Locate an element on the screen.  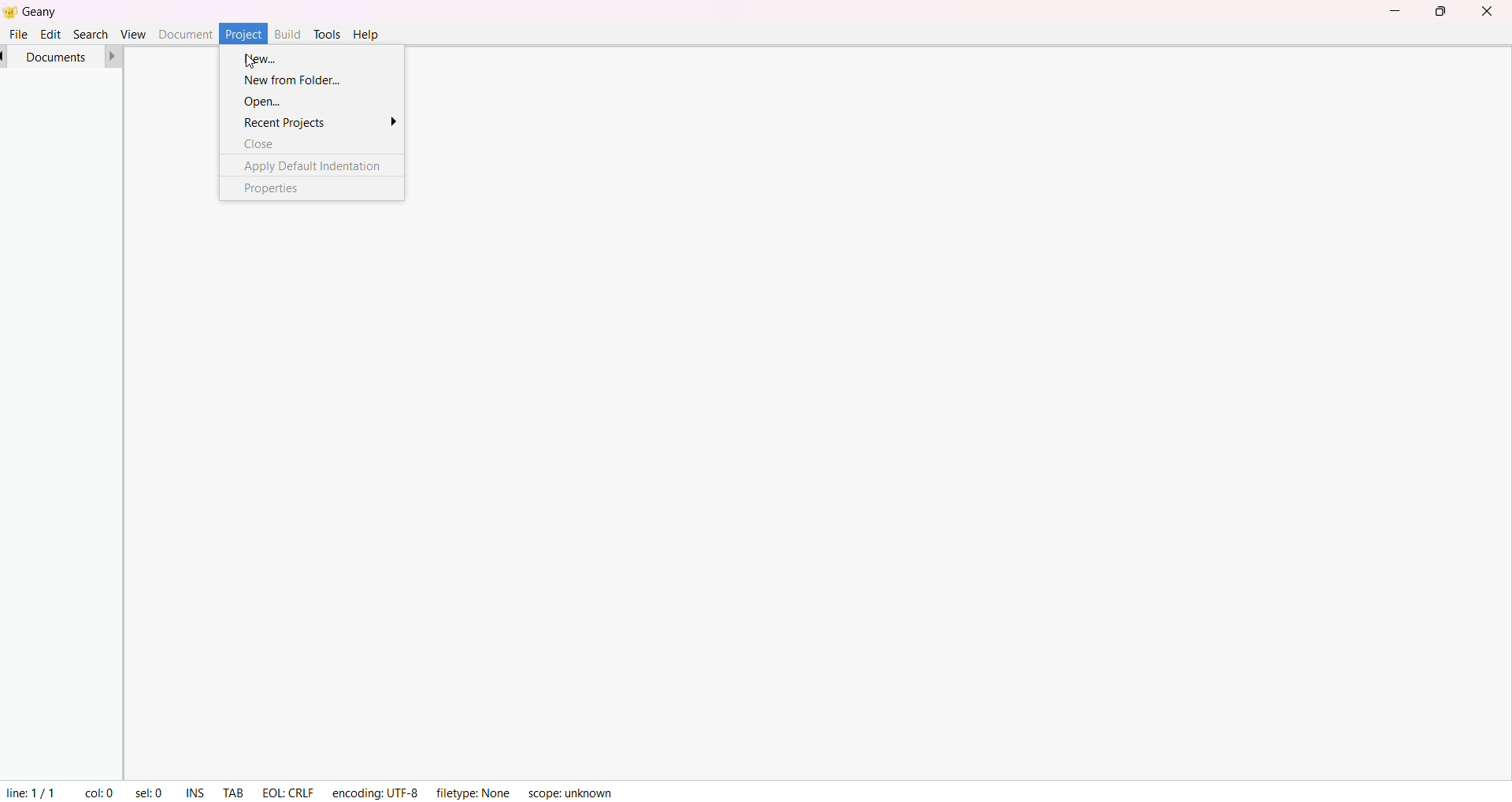
build is located at coordinates (287, 32).